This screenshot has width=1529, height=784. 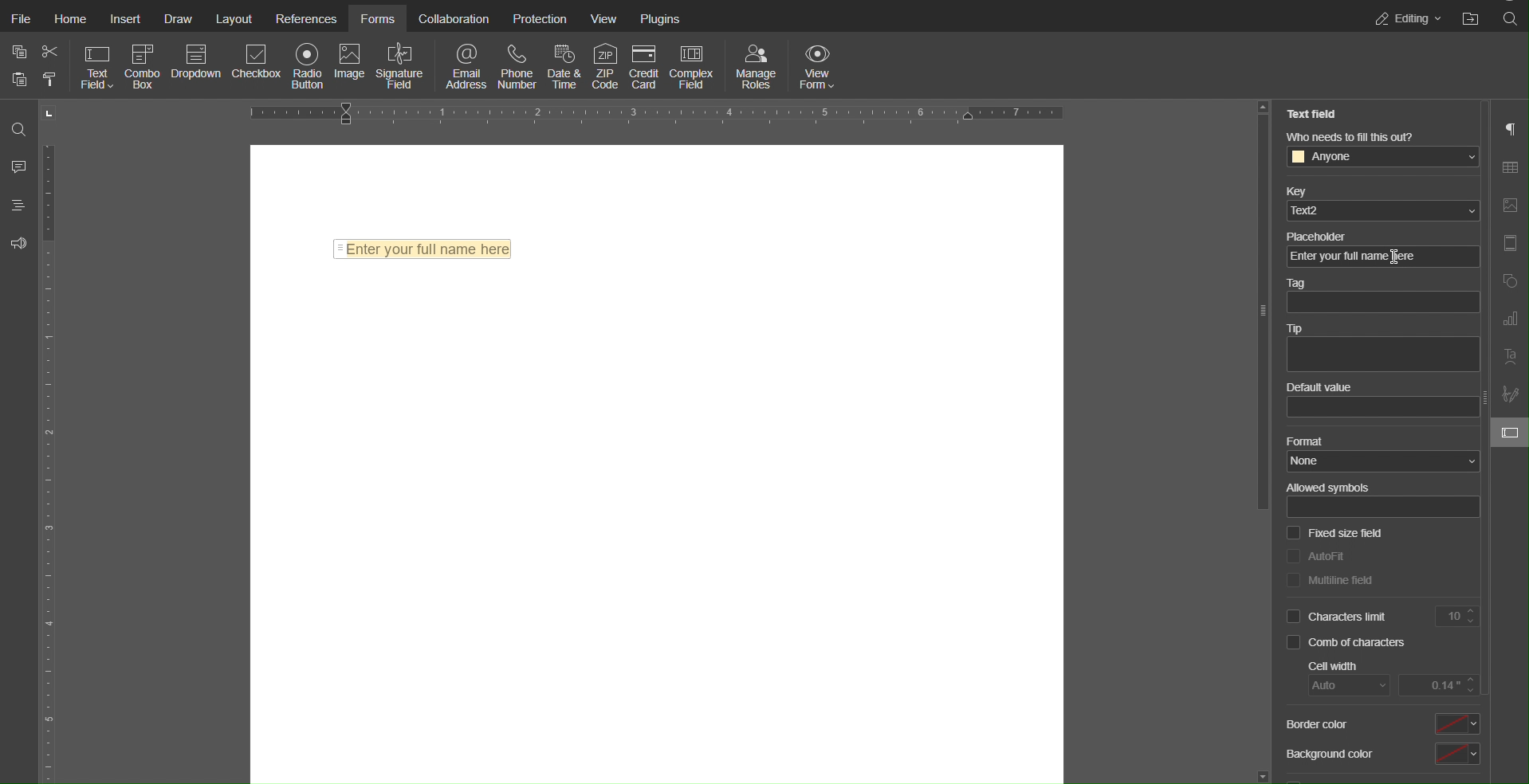 I want to click on Header and Footer, so click(x=1509, y=243).